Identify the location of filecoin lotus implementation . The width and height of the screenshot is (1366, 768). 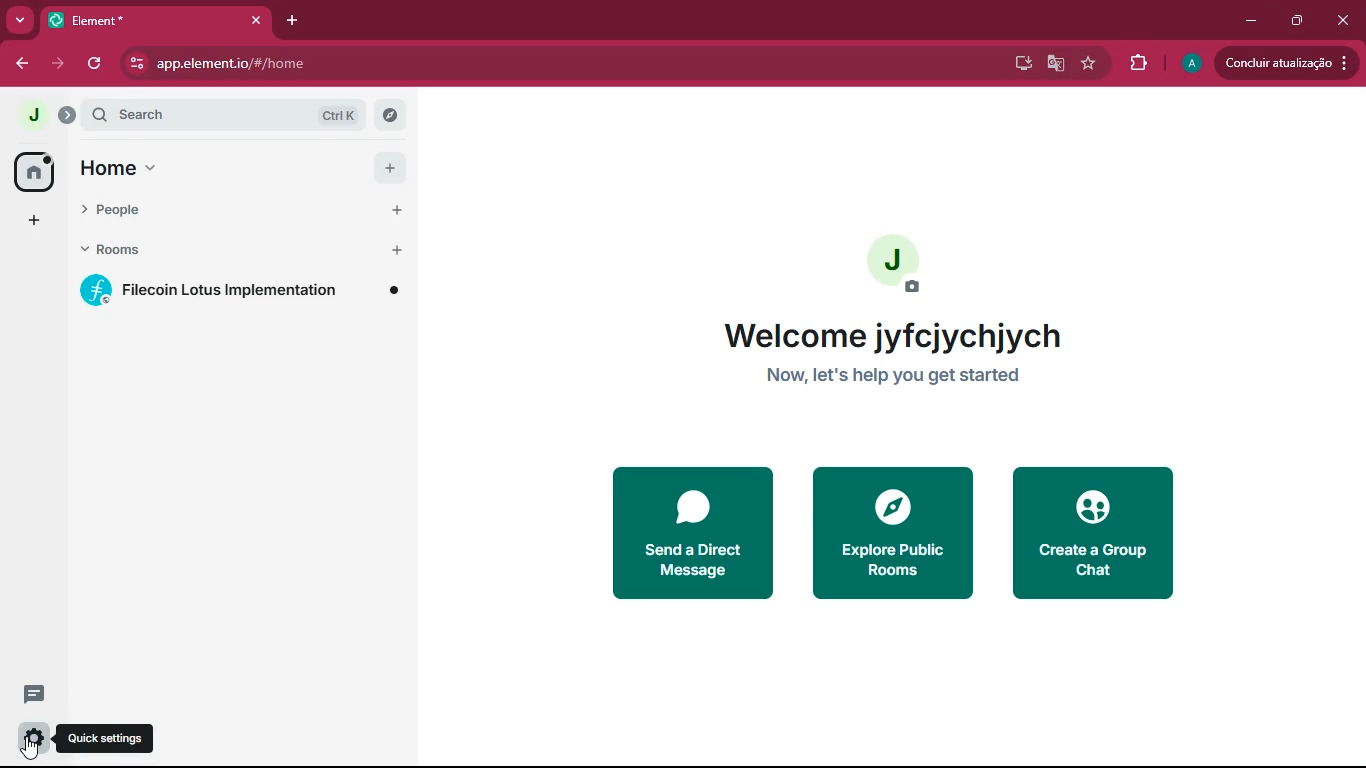
(238, 294).